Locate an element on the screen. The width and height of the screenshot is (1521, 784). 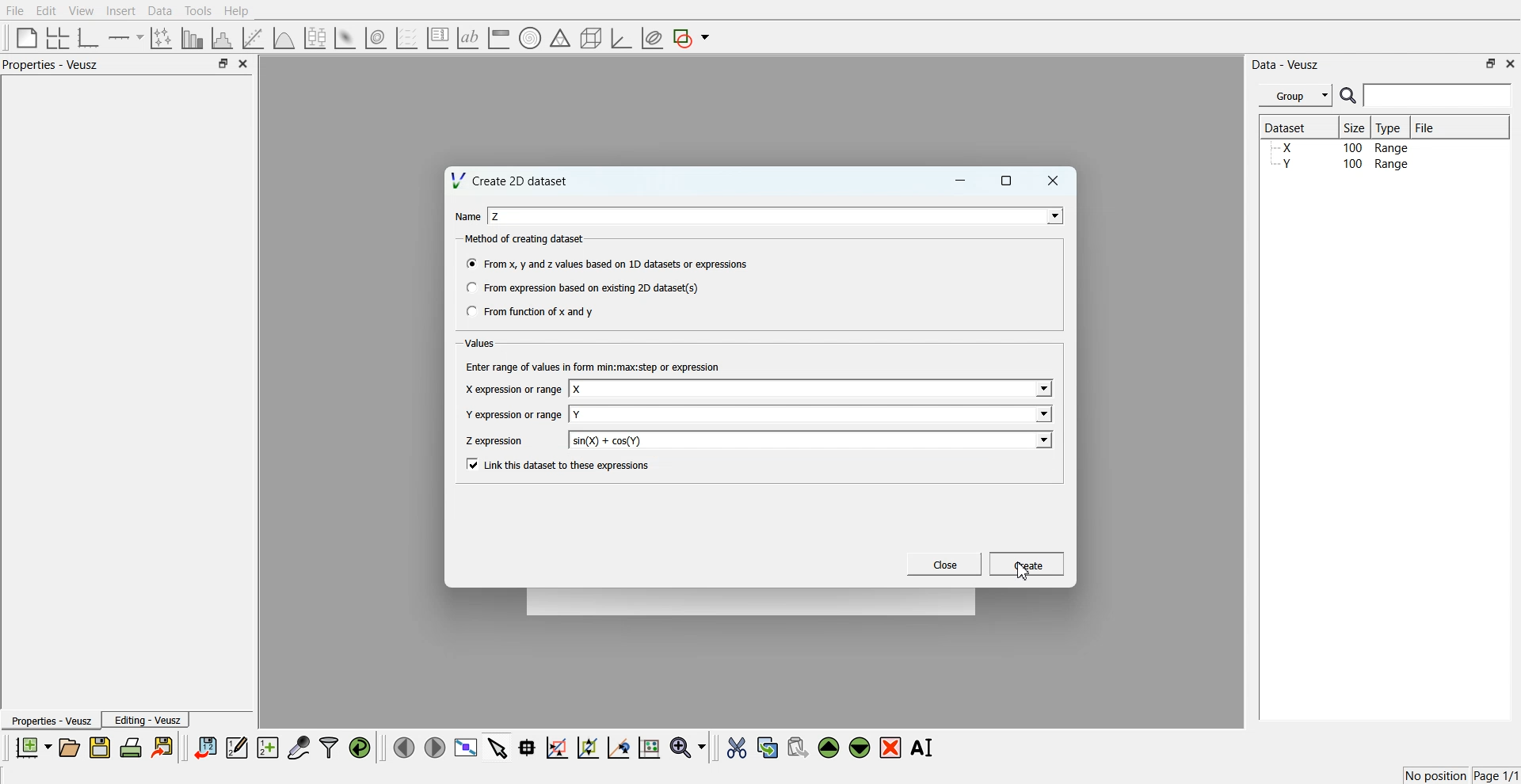
}  Zexpression is located at coordinates (496, 441).